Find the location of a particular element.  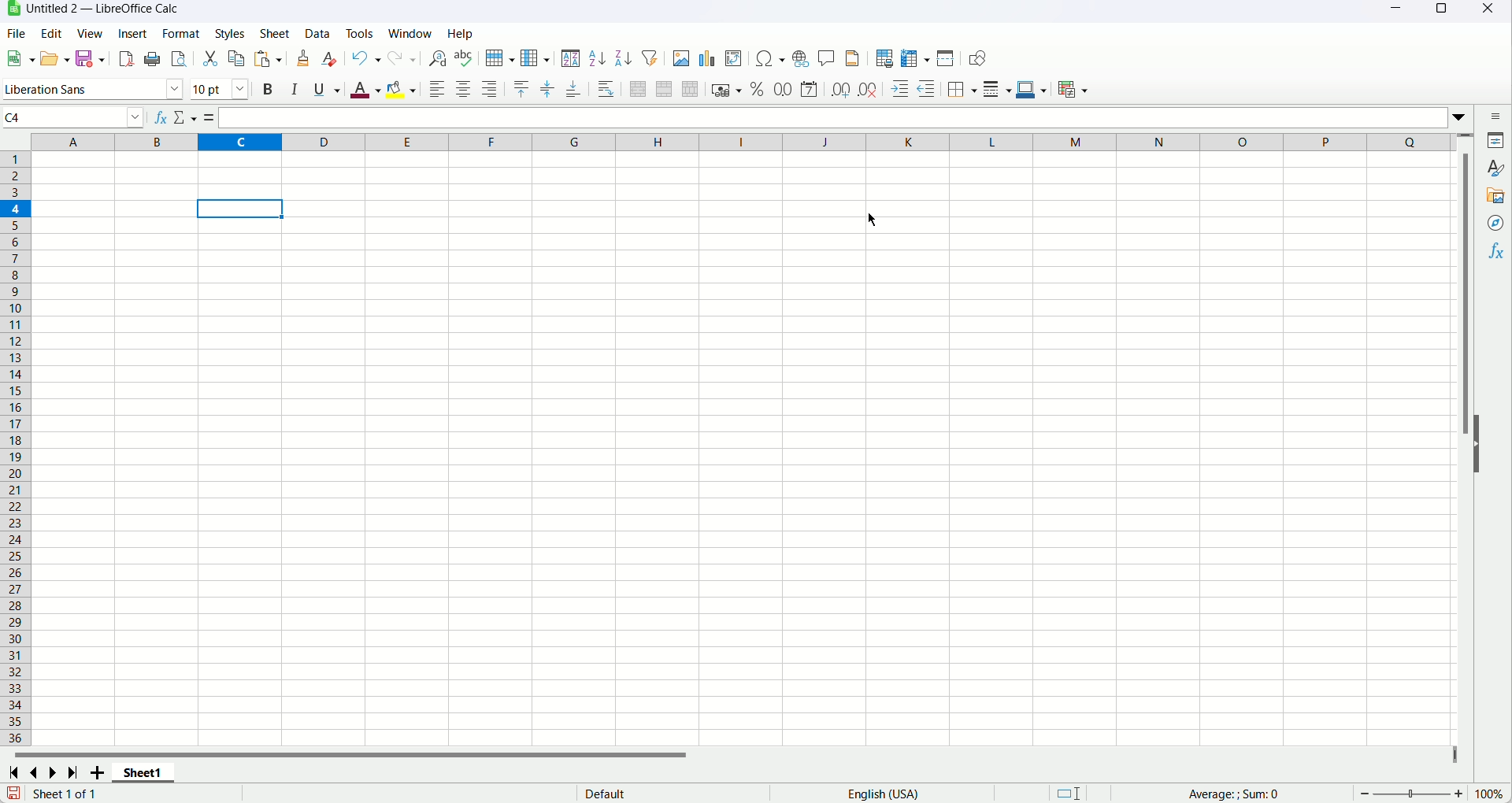

Define print area is located at coordinates (884, 59).